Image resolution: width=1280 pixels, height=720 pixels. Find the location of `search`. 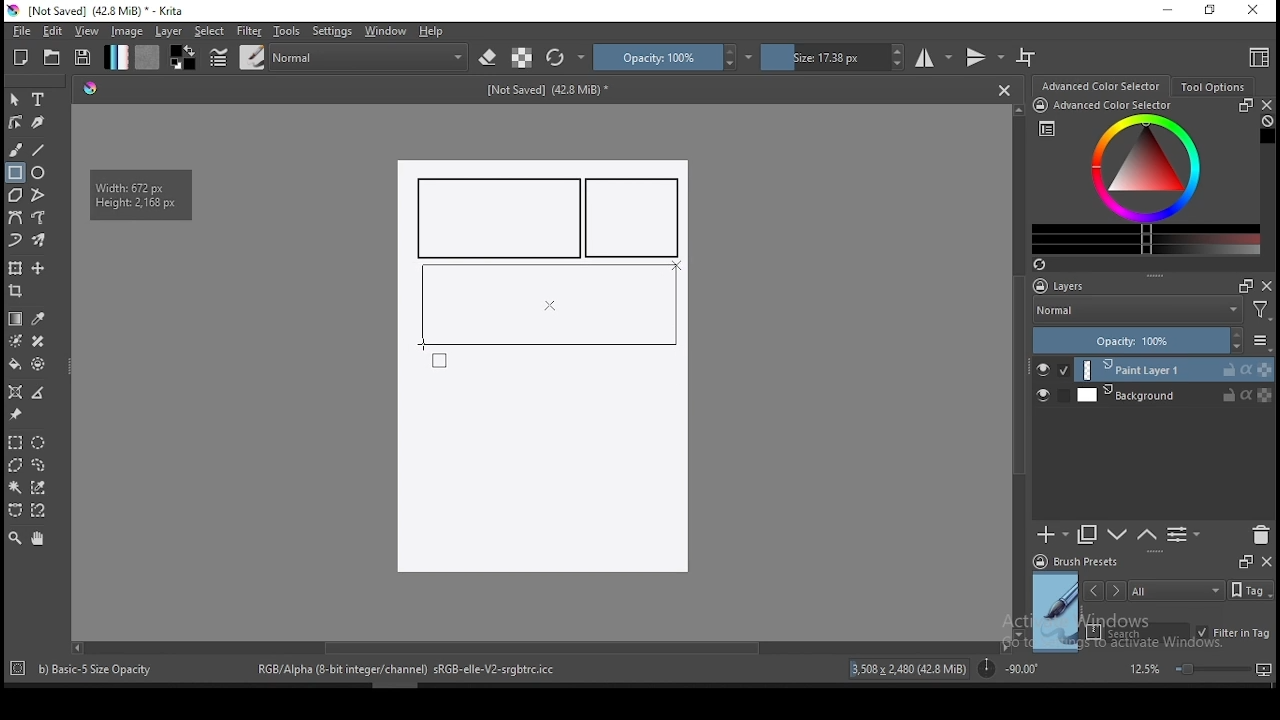

search is located at coordinates (1138, 632).